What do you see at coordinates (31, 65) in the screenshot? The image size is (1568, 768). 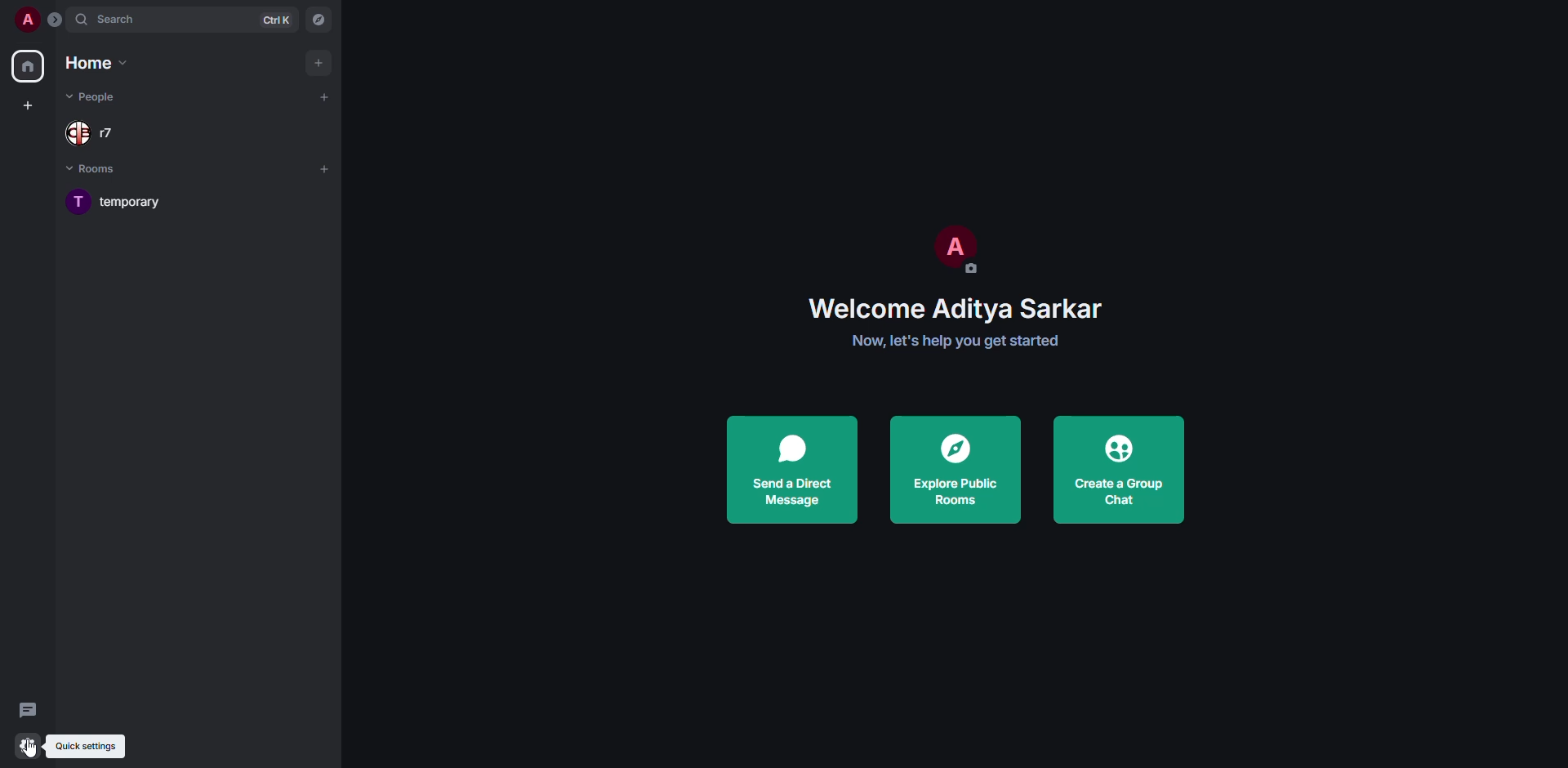 I see `home` at bounding box center [31, 65].